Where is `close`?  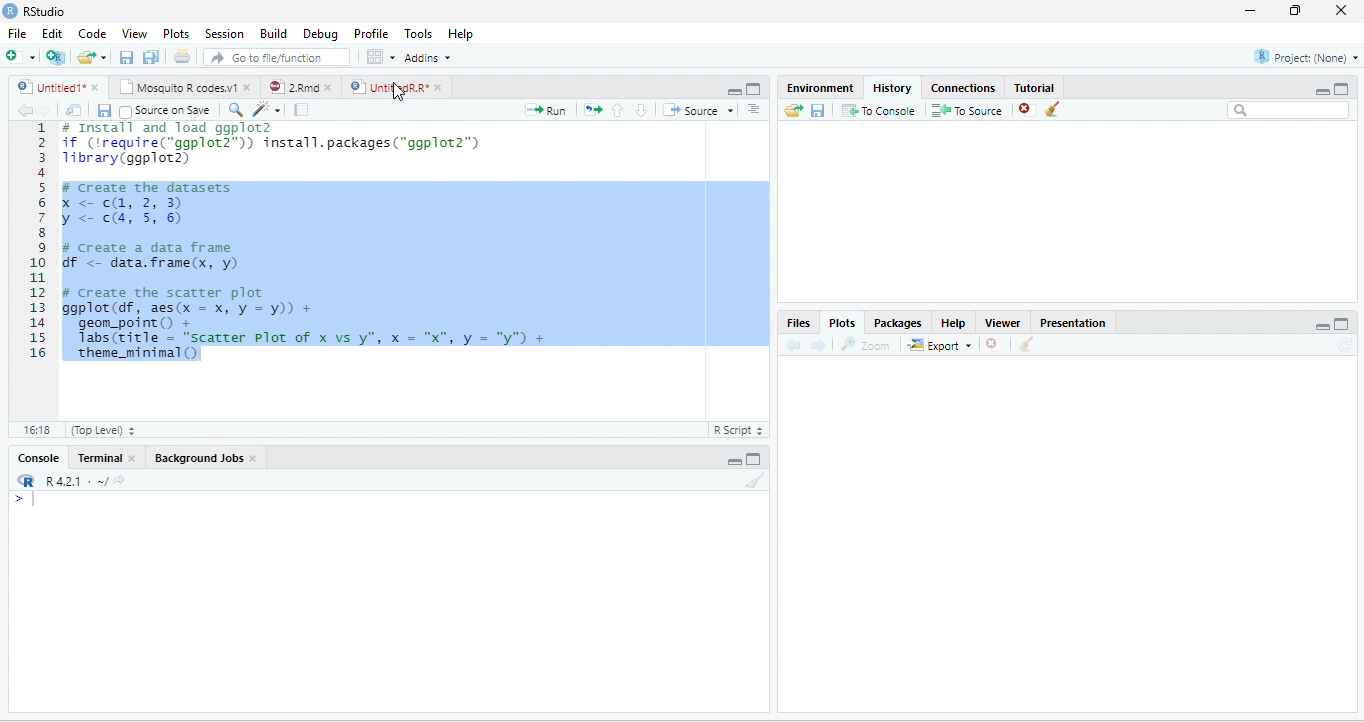
close is located at coordinates (254, 459).